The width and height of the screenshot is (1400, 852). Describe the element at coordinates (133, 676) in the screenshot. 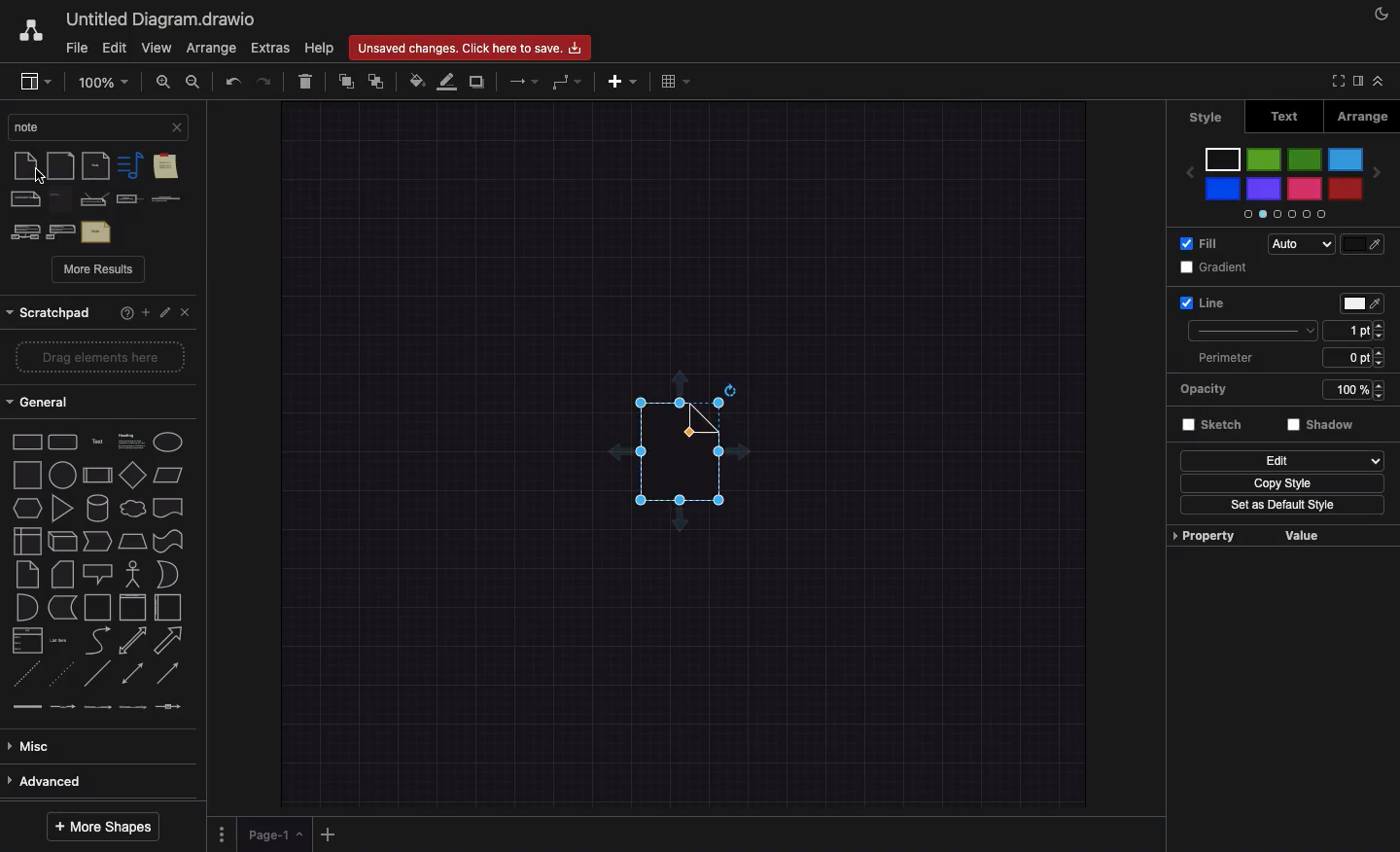

I see `bidirectional connector` at that location.